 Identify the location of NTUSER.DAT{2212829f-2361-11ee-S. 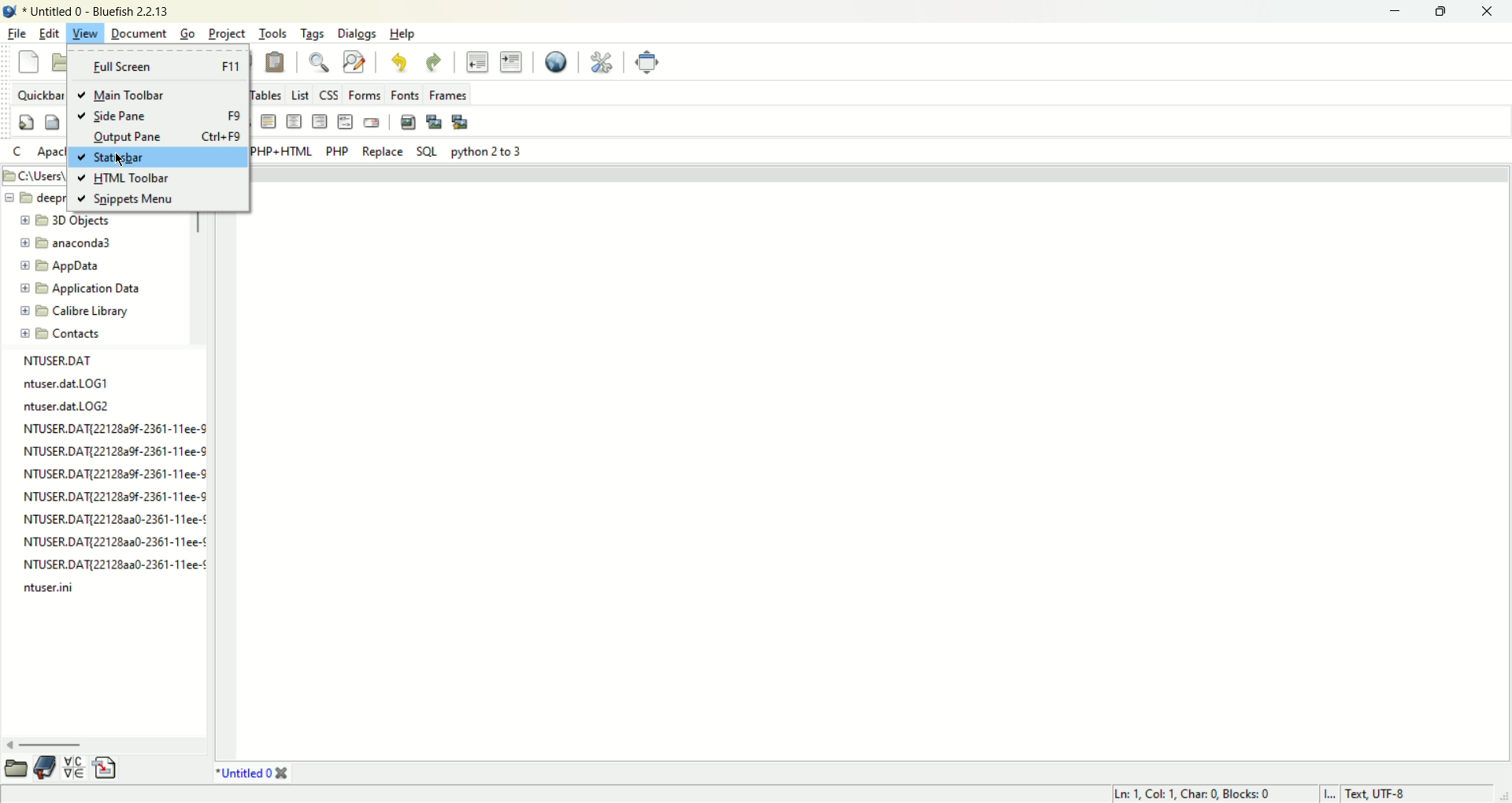
(113, 476).